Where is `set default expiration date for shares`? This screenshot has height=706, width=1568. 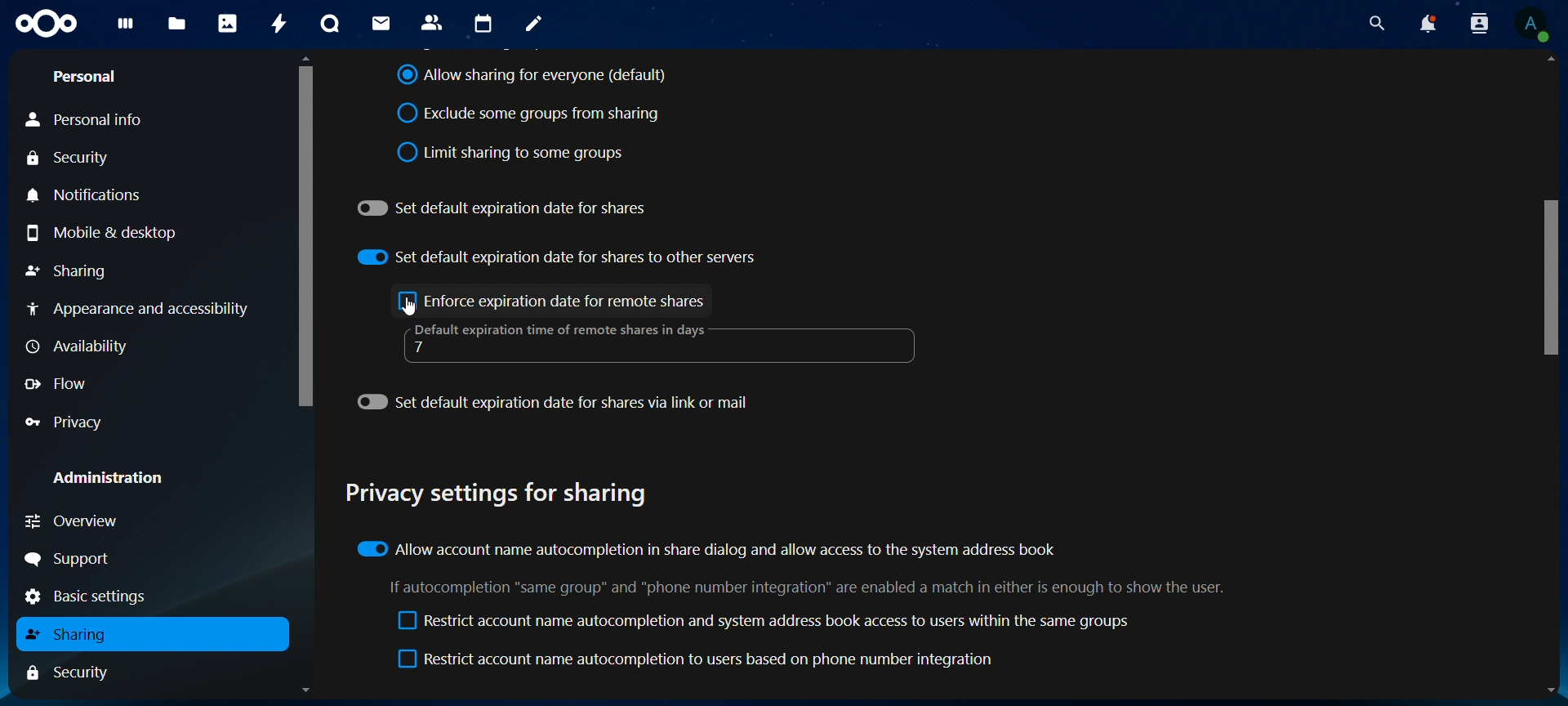 set default expiration date for shares is located at coordinates (505, 206).